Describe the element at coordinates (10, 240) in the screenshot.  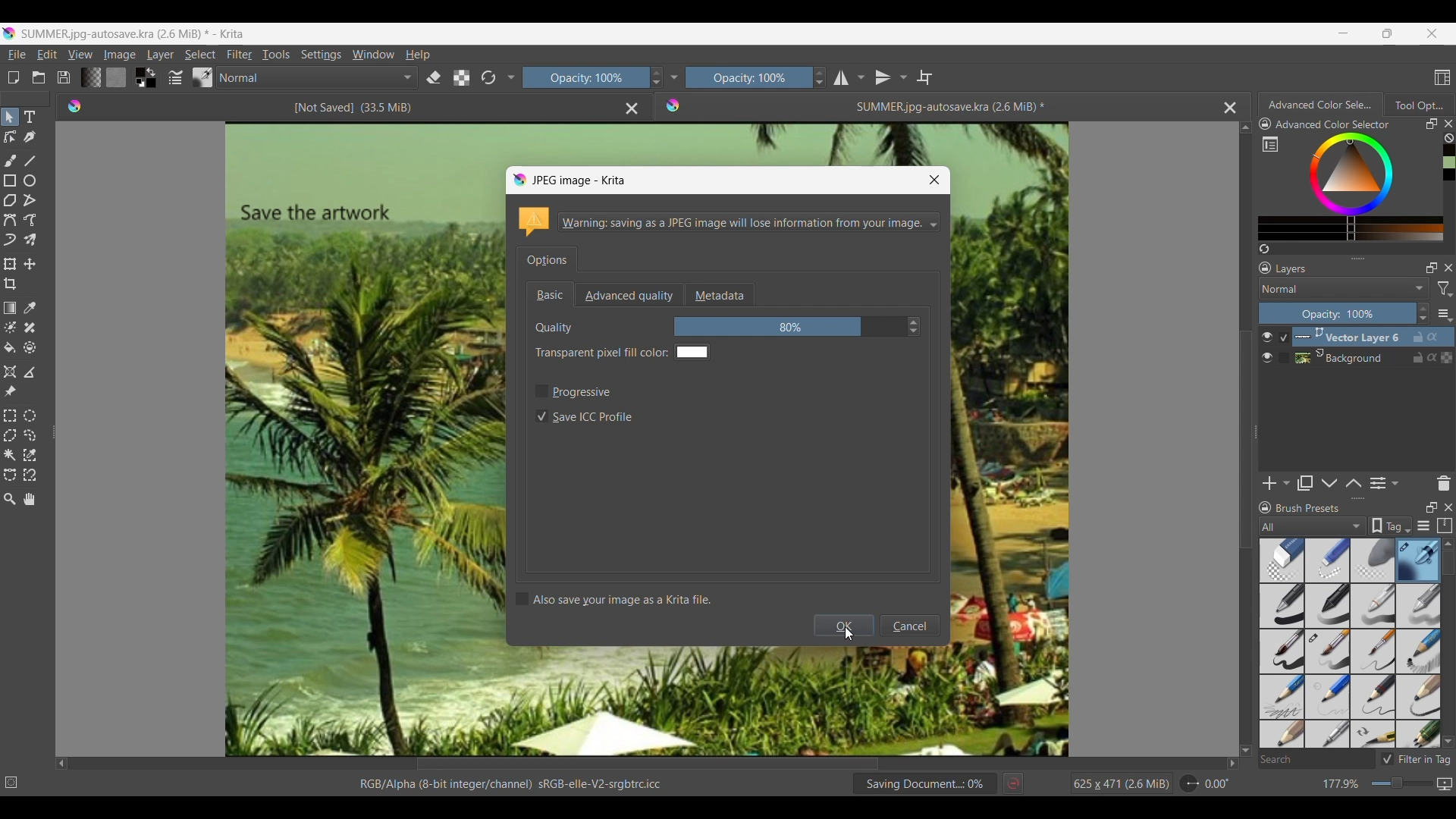
I see `Dynamic brush tool` at that location.